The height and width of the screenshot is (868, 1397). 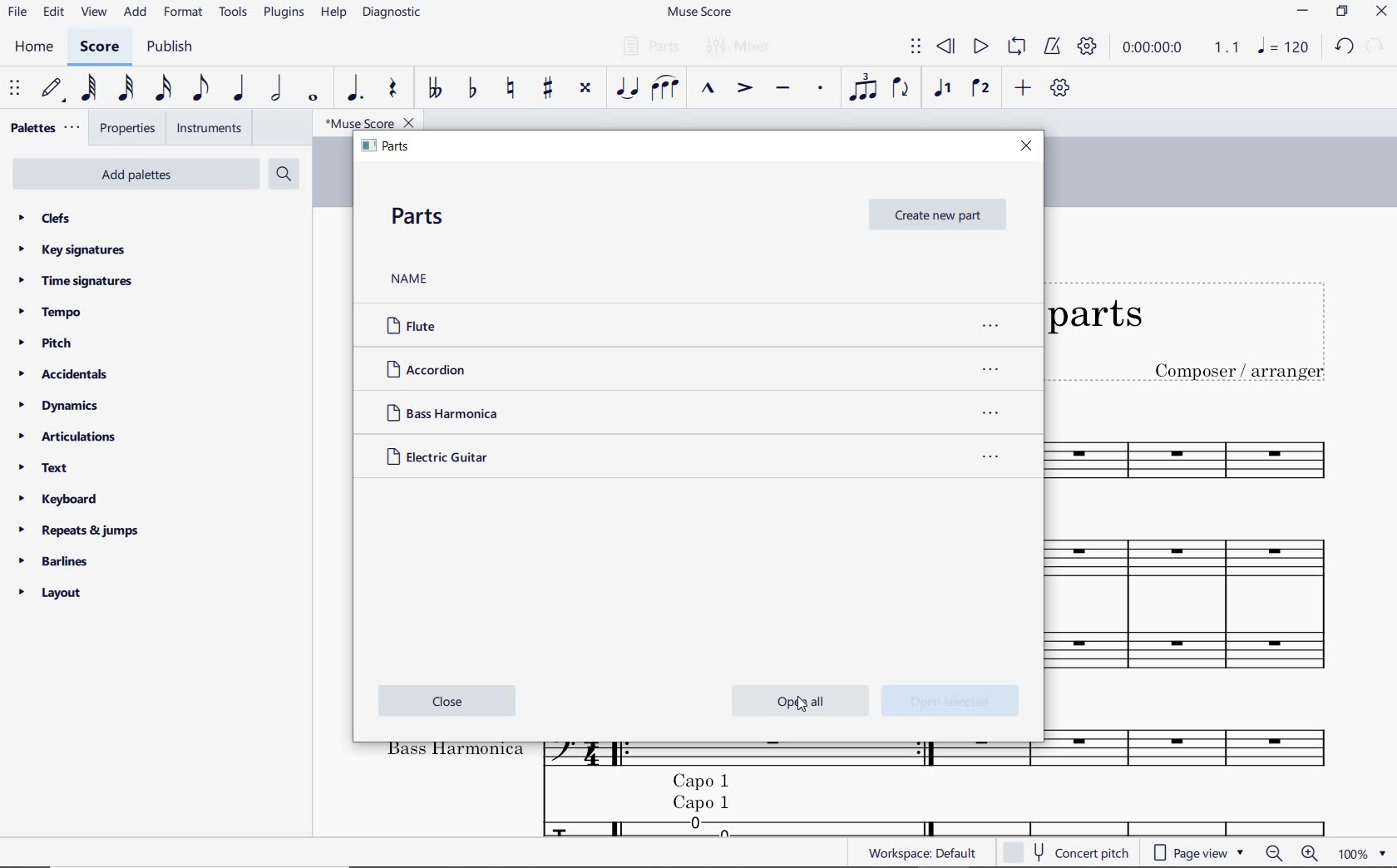 I want to click on file, so click(x=17, y=12).